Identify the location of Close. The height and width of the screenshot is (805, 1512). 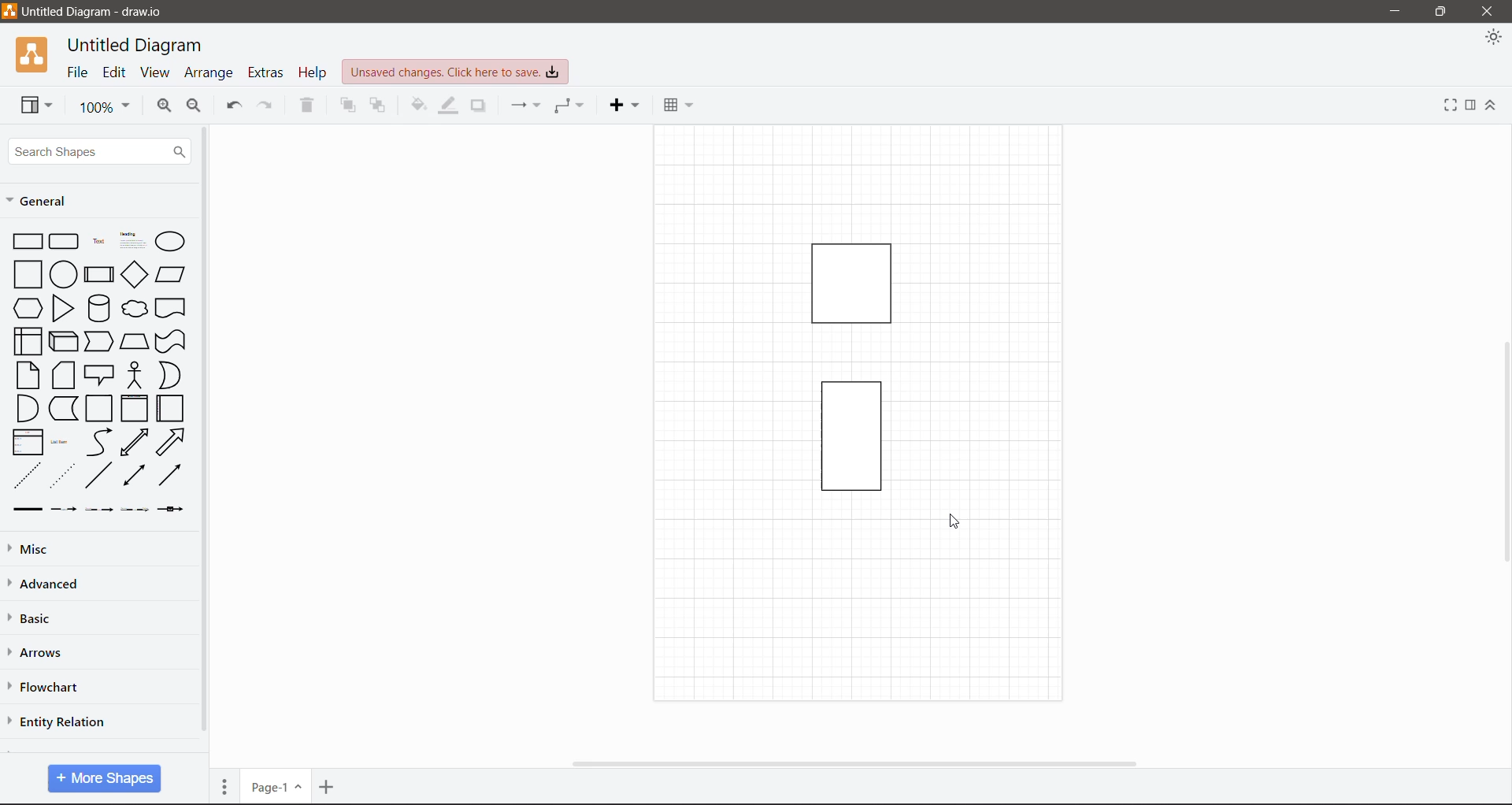
(1490, 12).